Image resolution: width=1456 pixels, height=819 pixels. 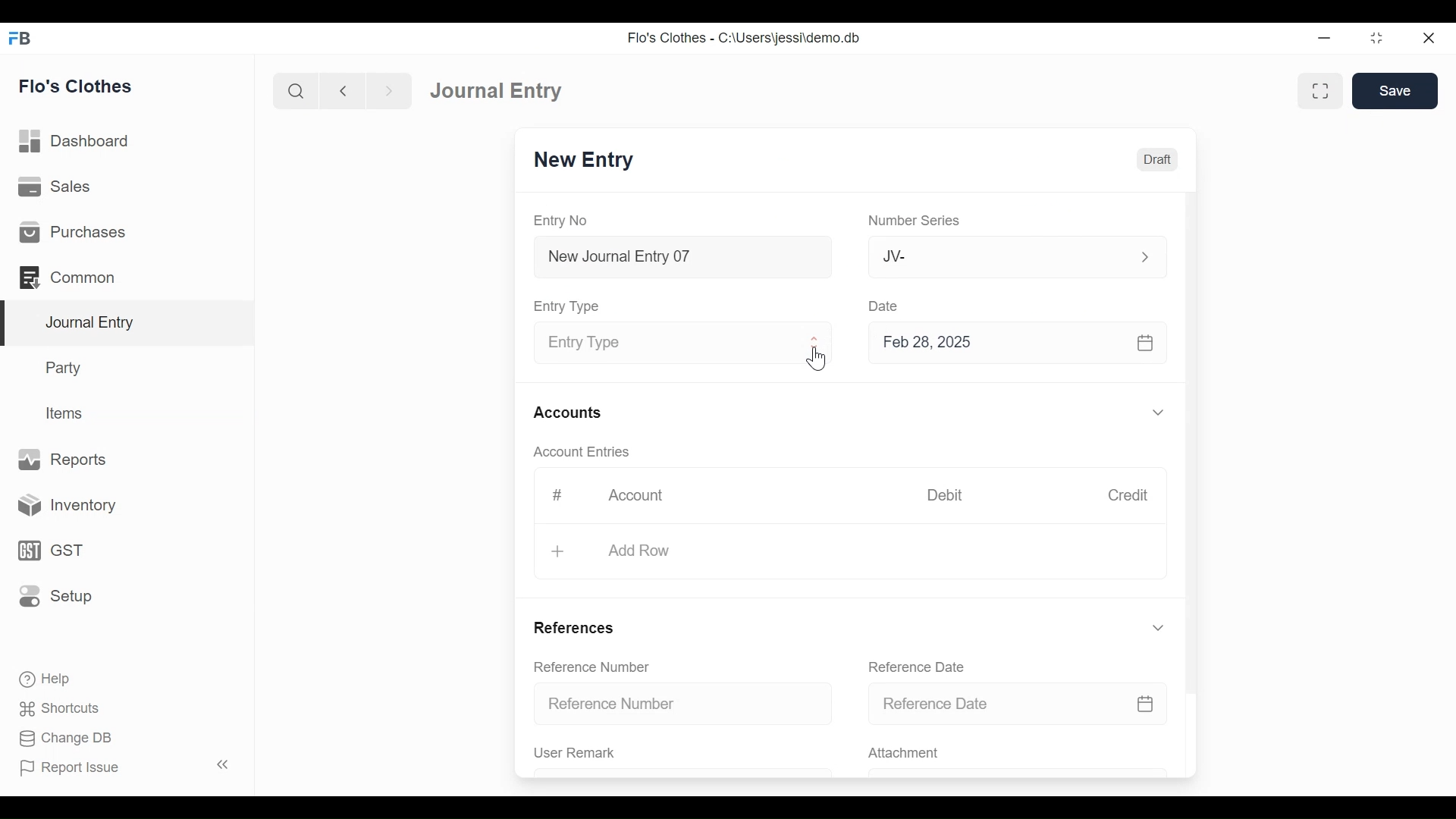 What do you see at coordinates (1193, 428) in the screenshot?
I see `Vertical Scroll bar` at bounding box center [1193, 428].